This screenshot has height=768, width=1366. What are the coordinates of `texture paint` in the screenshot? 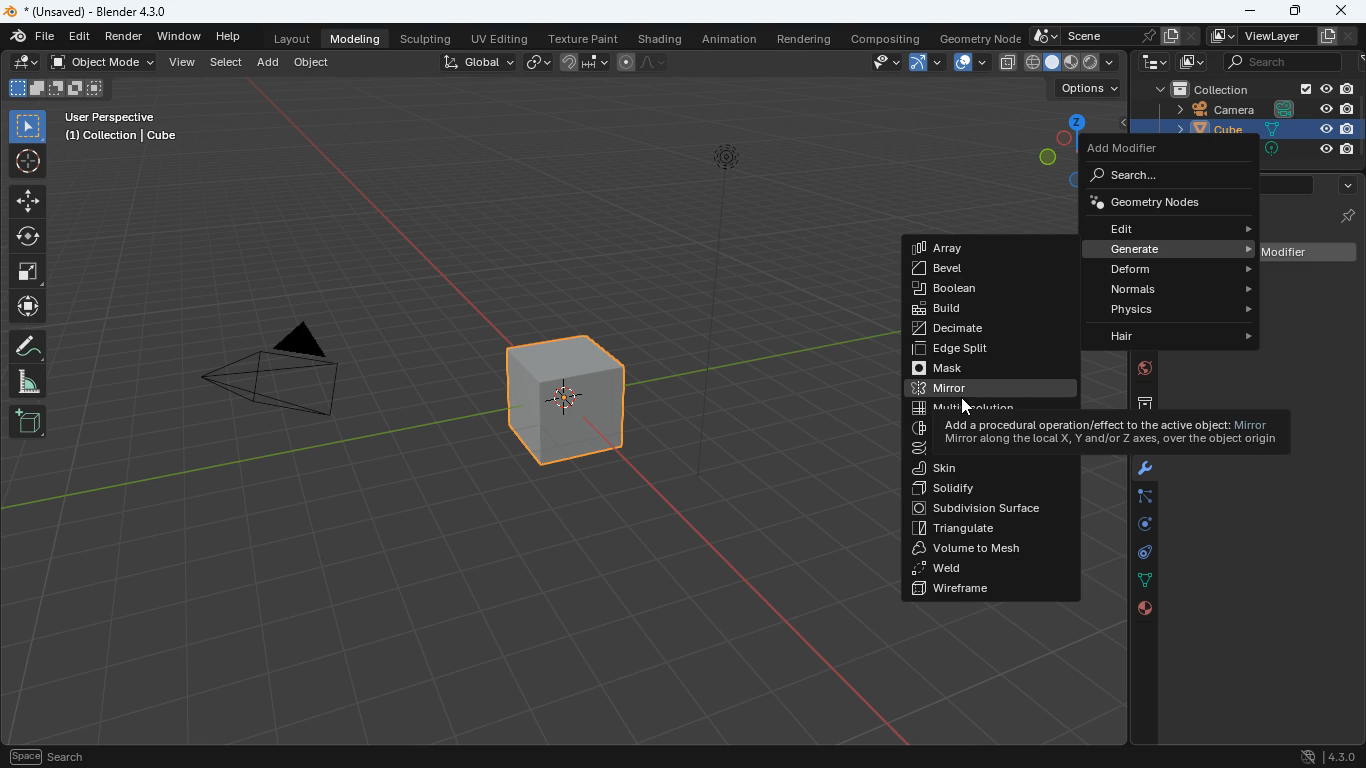 It's located at (584, 38).